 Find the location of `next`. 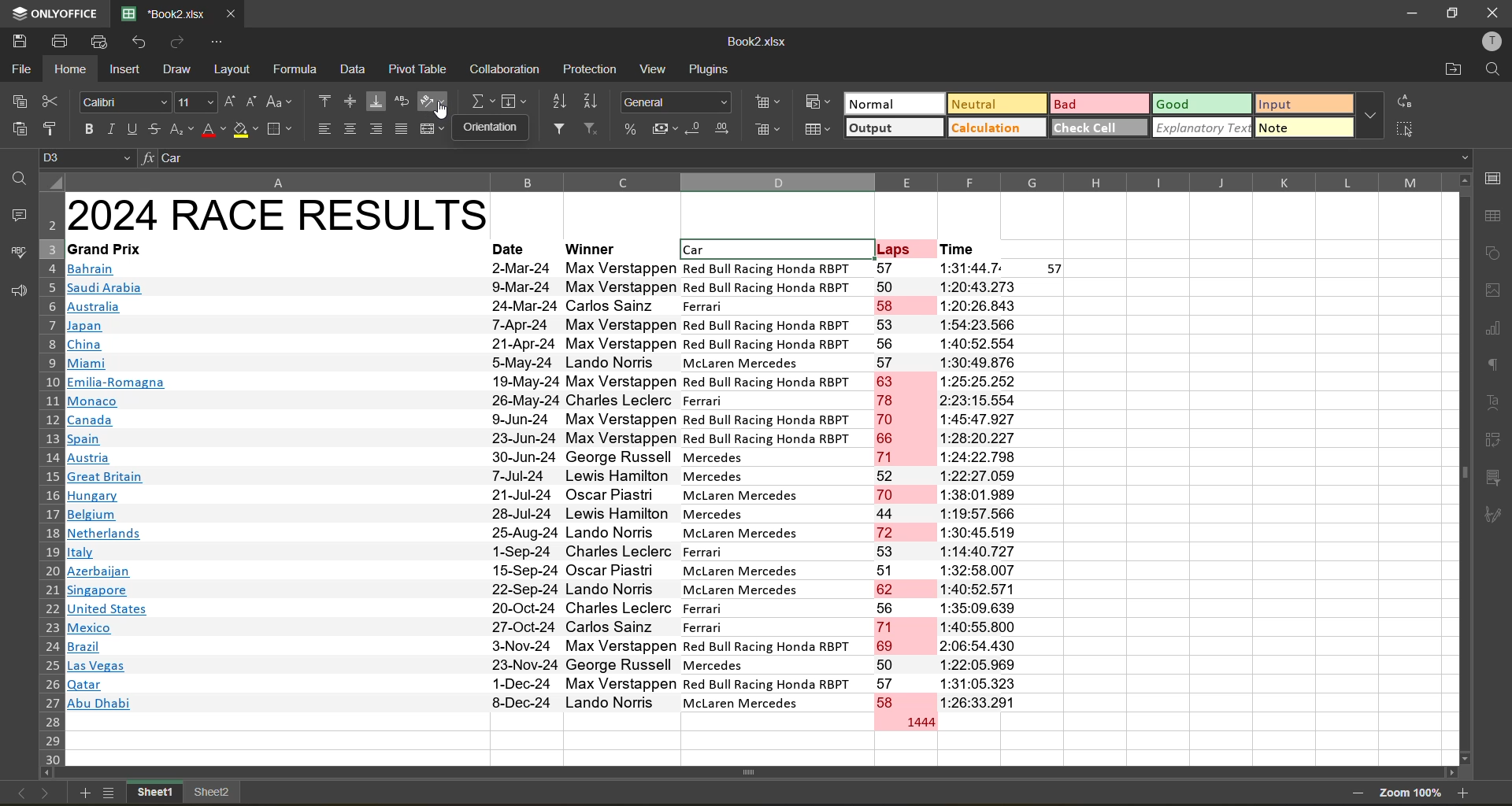

next is located at coordinates (46, 793).